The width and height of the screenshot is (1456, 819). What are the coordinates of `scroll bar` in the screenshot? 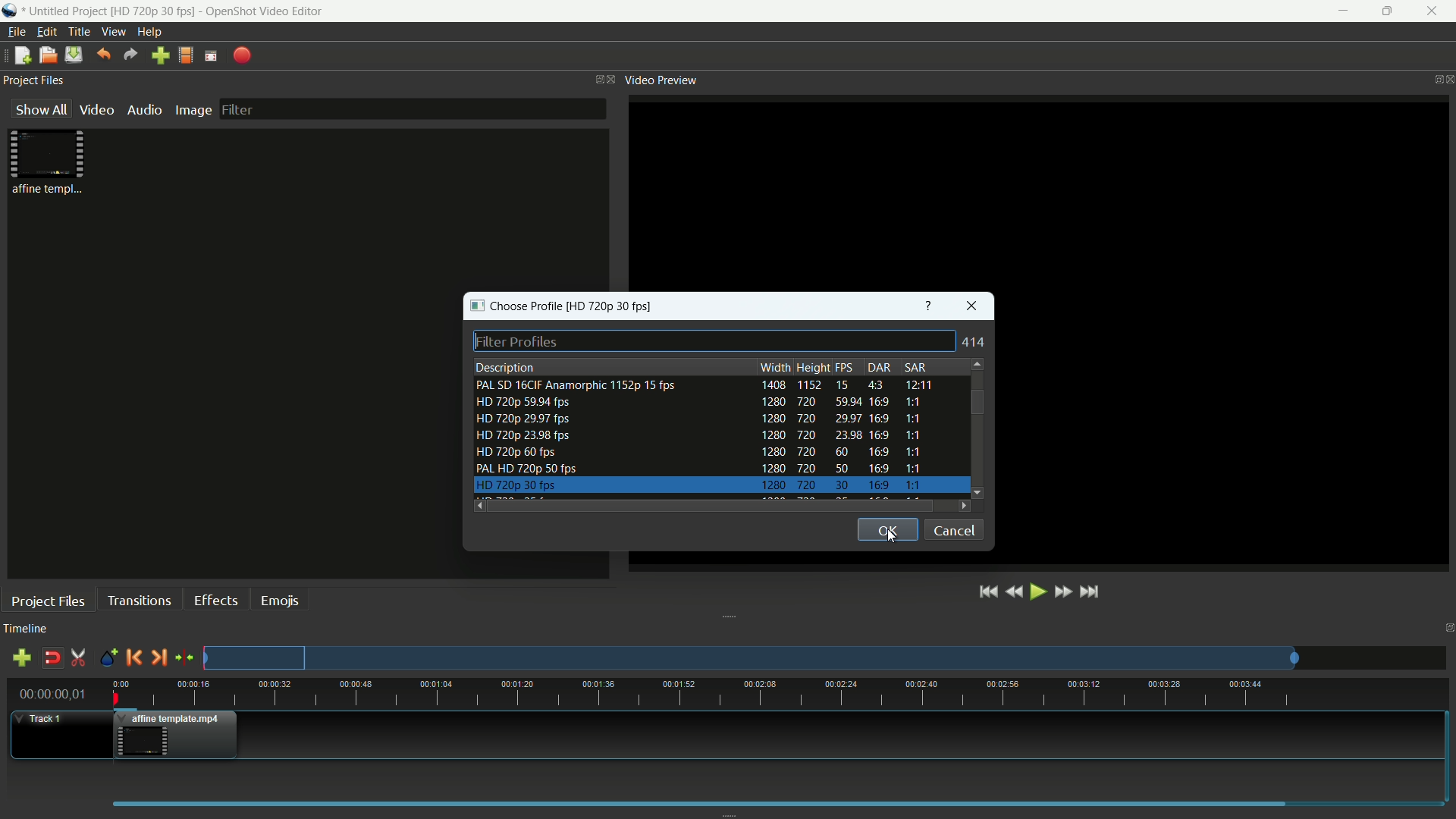 It's located at (977, 403).